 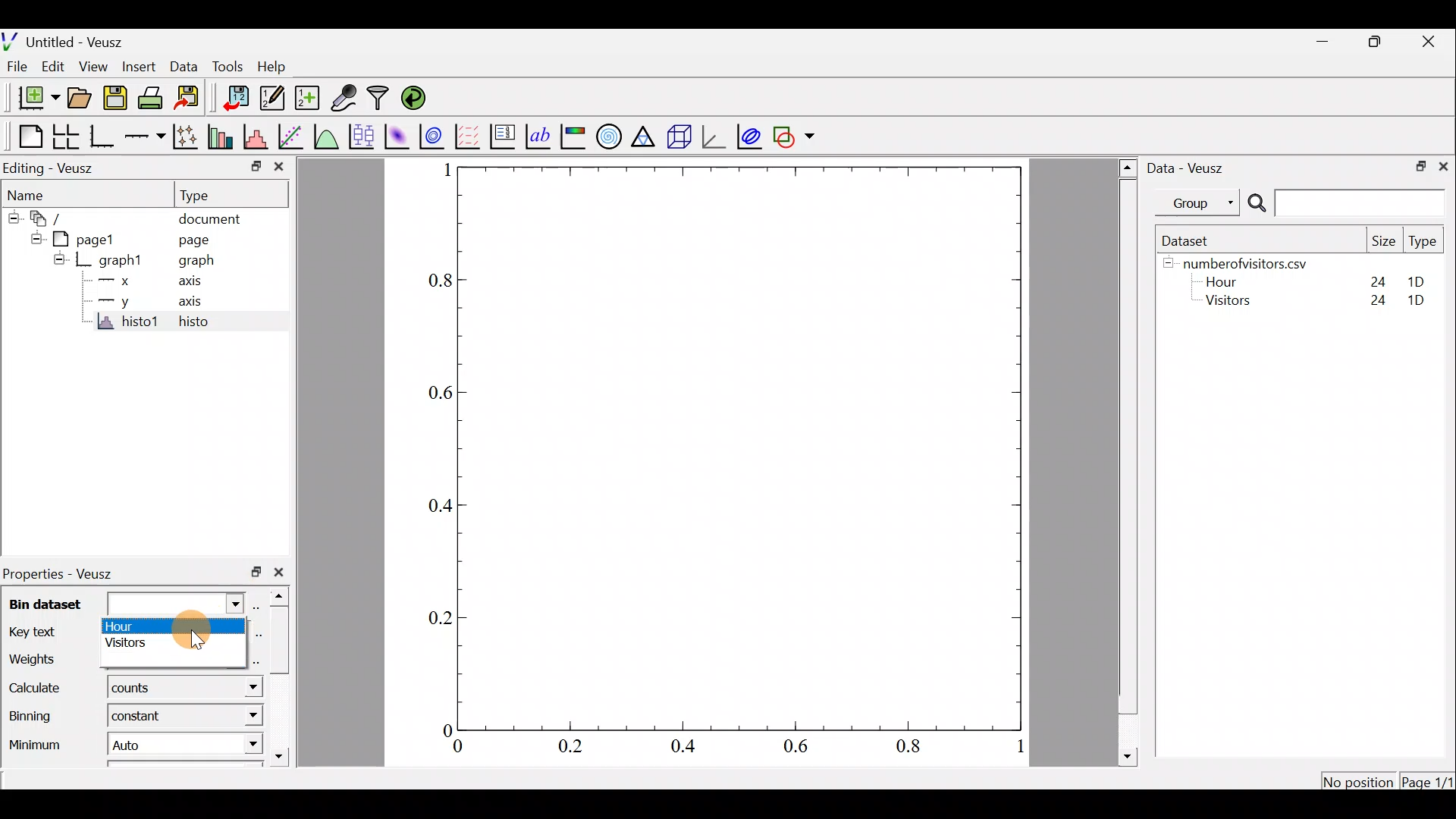 I want to click on plot a 2d dataset as an image, so click(x=399, y=135).